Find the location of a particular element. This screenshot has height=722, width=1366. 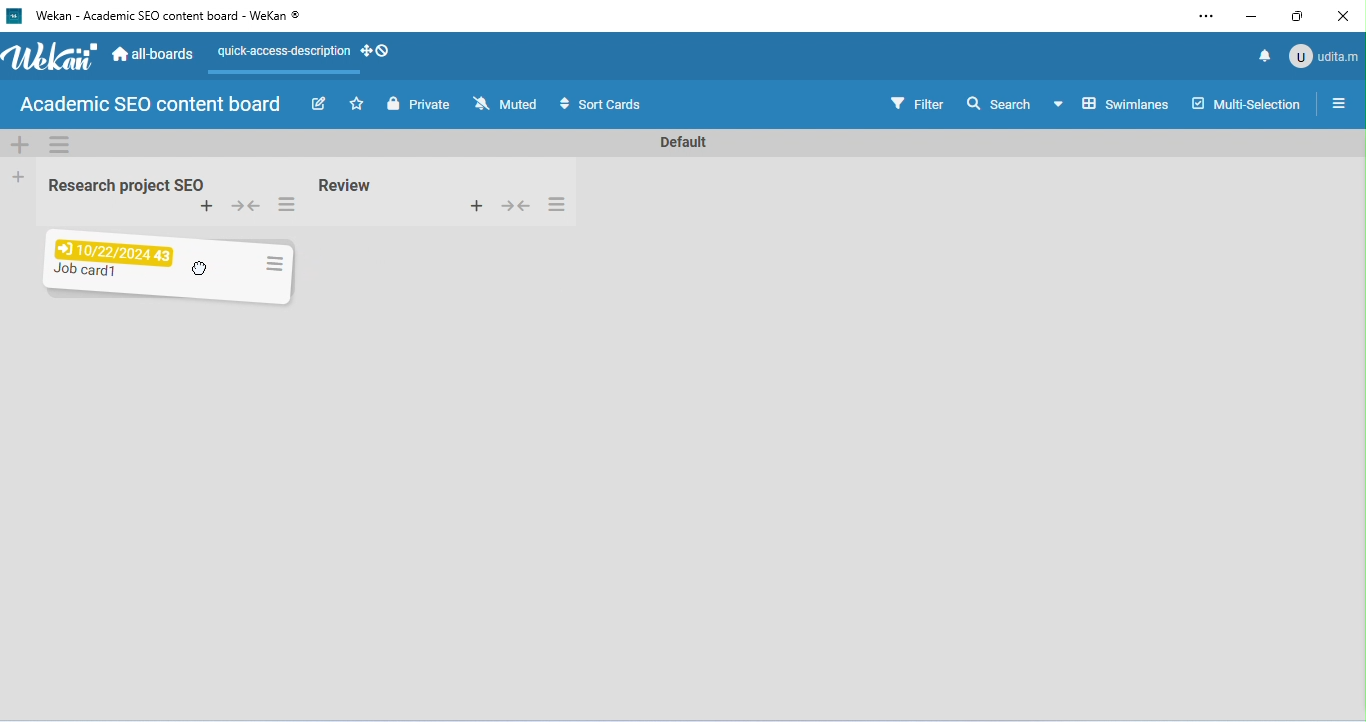

admin is located at coordinates (1322, 55).